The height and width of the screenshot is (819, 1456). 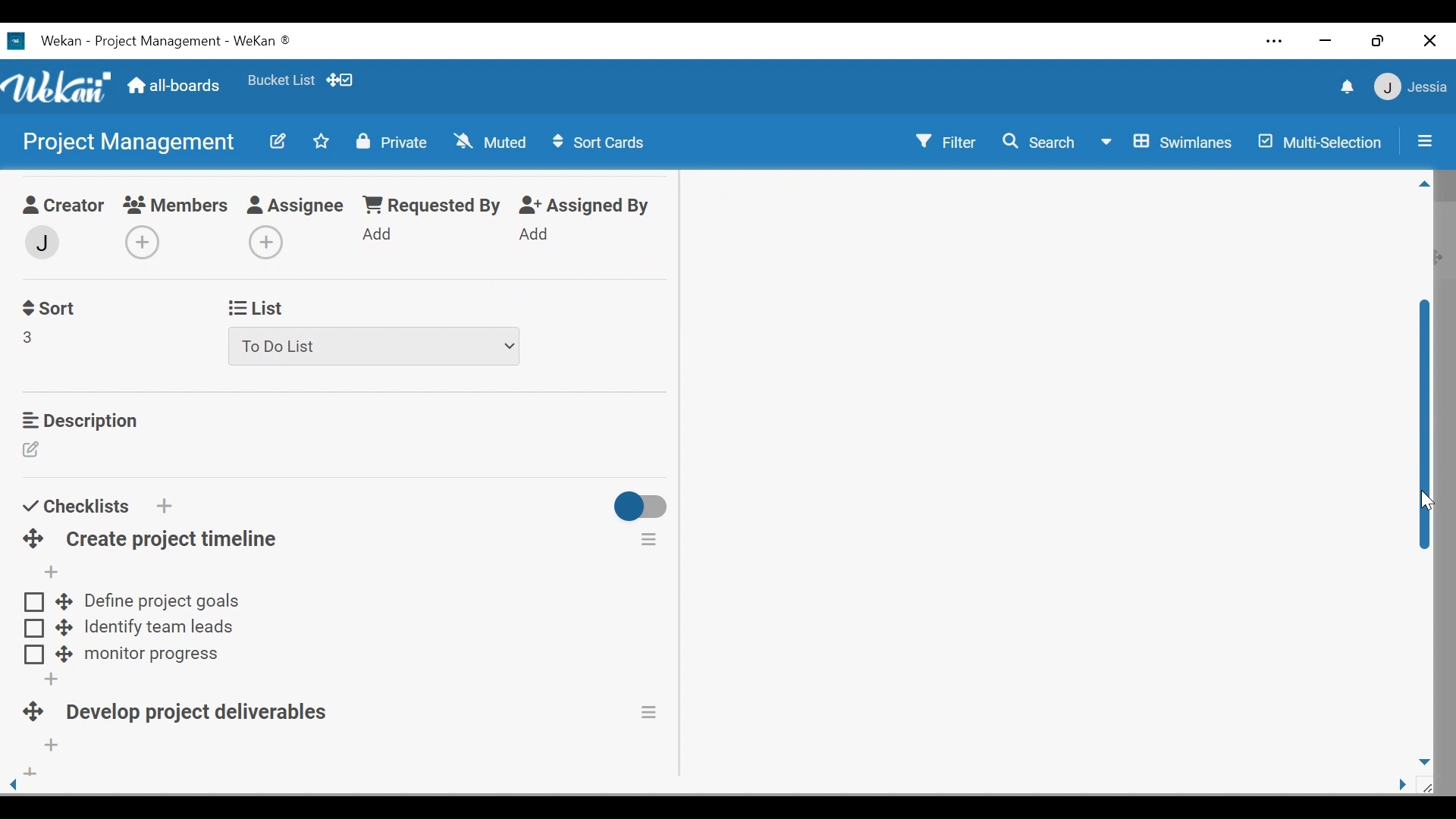 I want to click on restore, so click(x=1378, y=42).